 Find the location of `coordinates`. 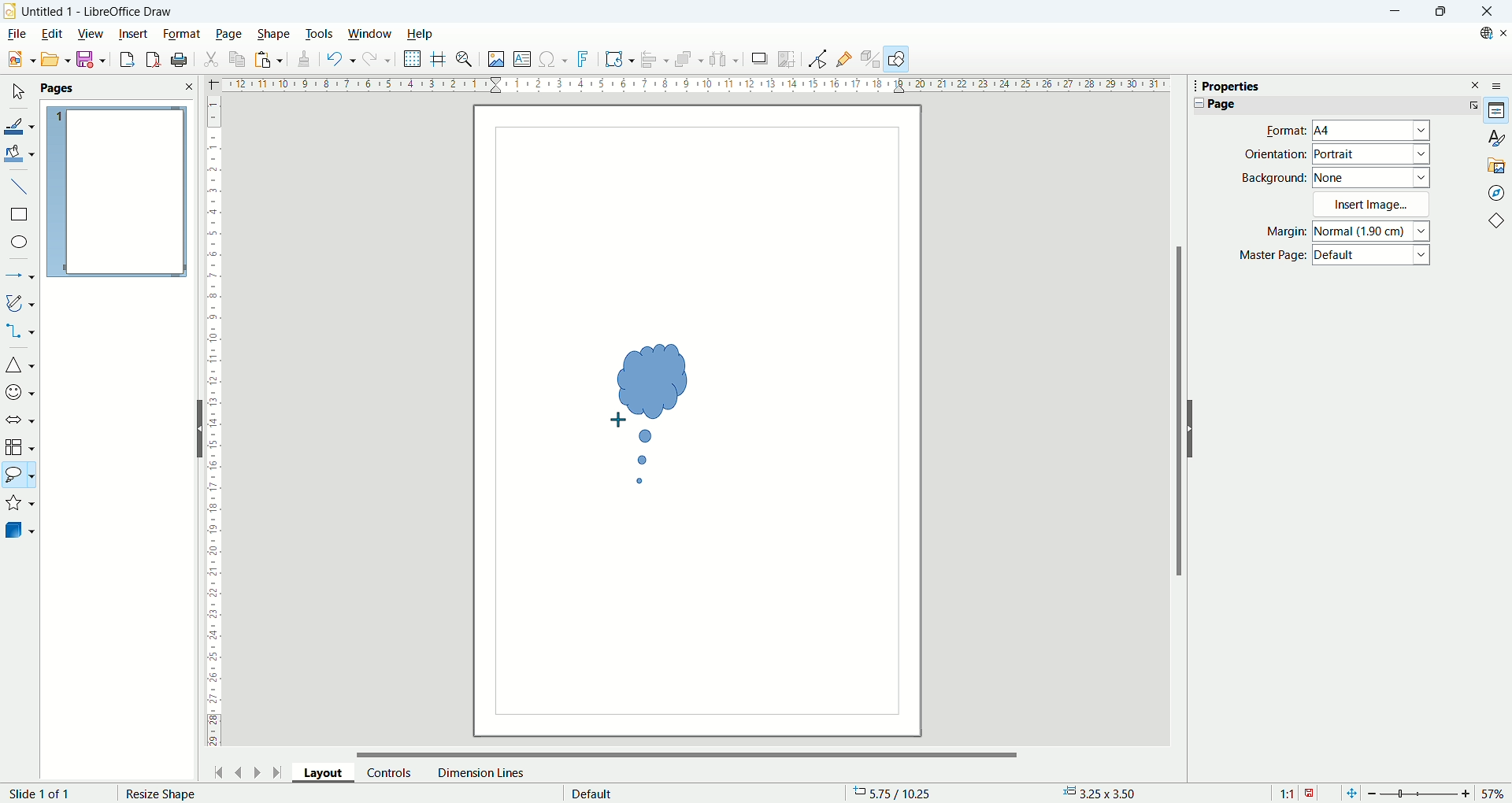

coordinates is located at coordinates (900, 794).